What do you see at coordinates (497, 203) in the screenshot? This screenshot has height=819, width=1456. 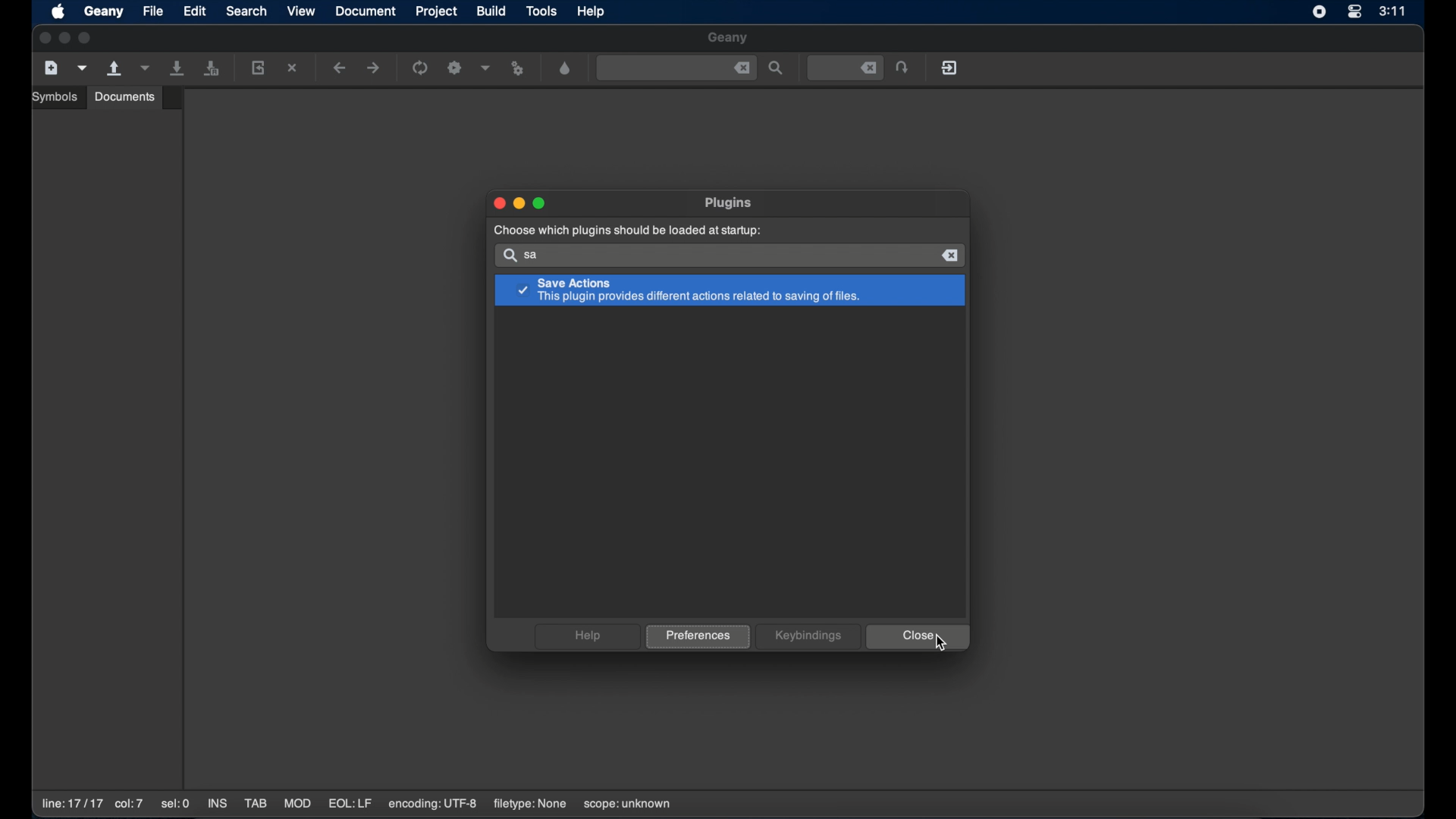 I see `close` at bounding box center [497, 203].